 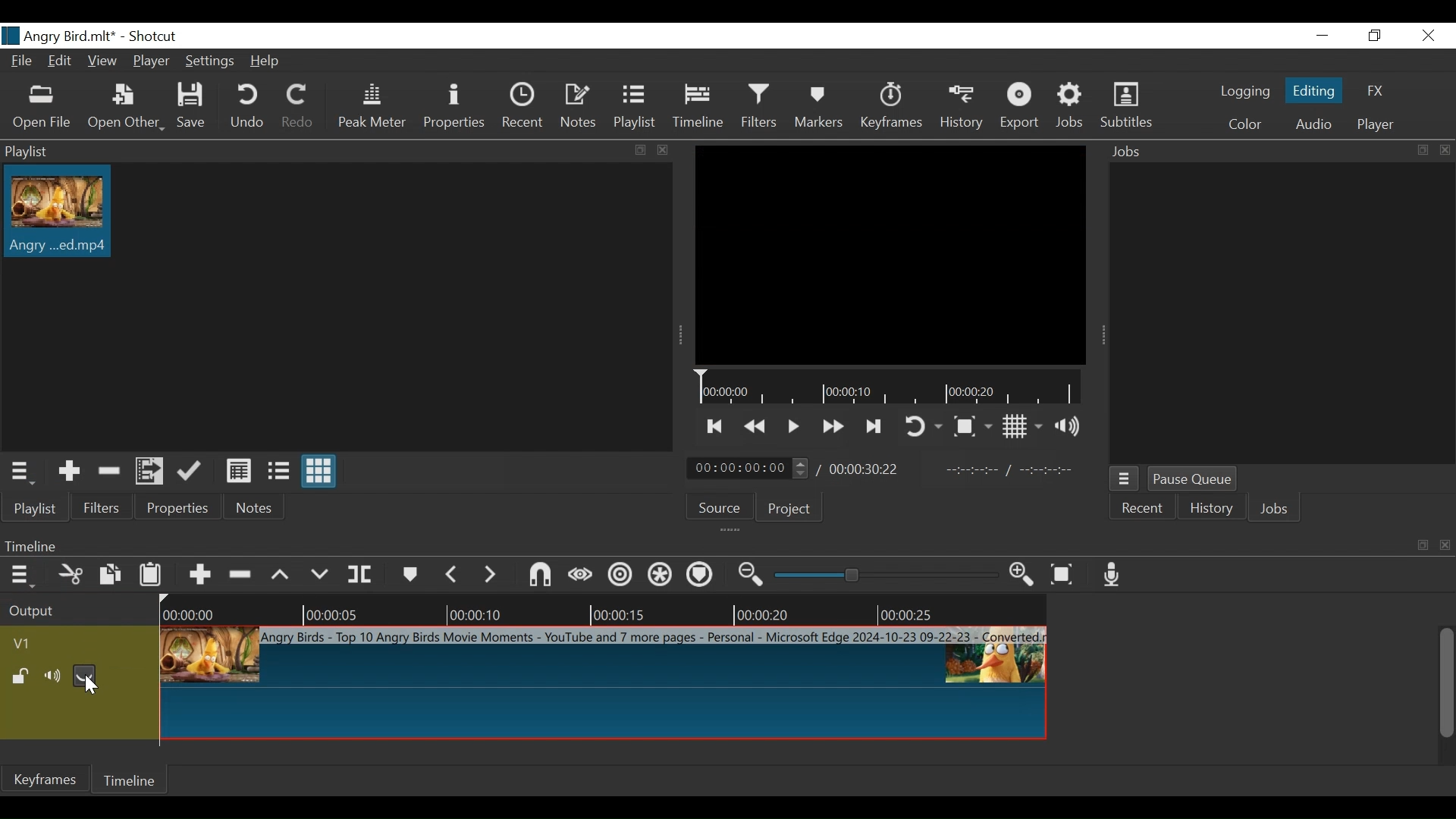 I want to click on Restore, so click(x=1373, y=36).